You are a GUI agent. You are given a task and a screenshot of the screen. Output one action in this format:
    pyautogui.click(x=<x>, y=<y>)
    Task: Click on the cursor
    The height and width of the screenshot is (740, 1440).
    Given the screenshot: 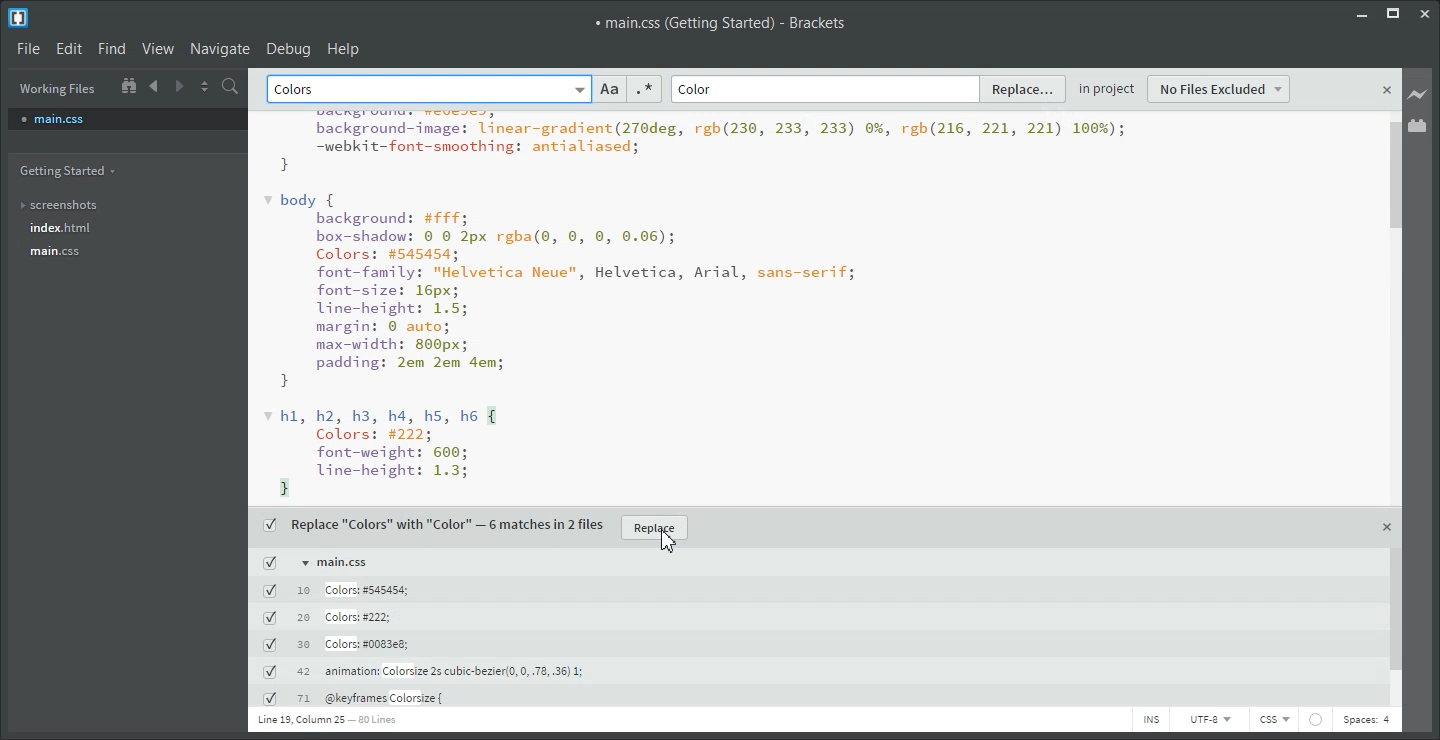 What is the action you would take?
    pyautogui.click(x=673, y=545)
    